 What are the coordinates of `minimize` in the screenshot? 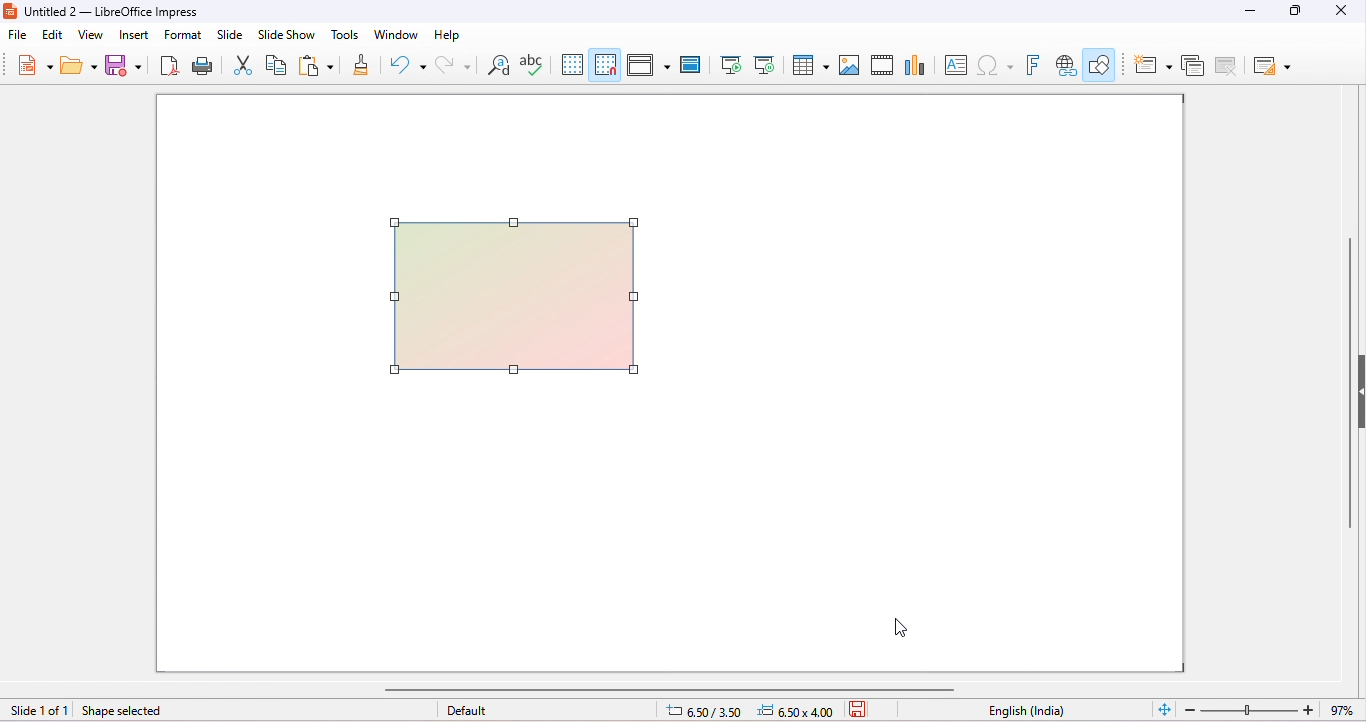 It's located at (1251, 11).